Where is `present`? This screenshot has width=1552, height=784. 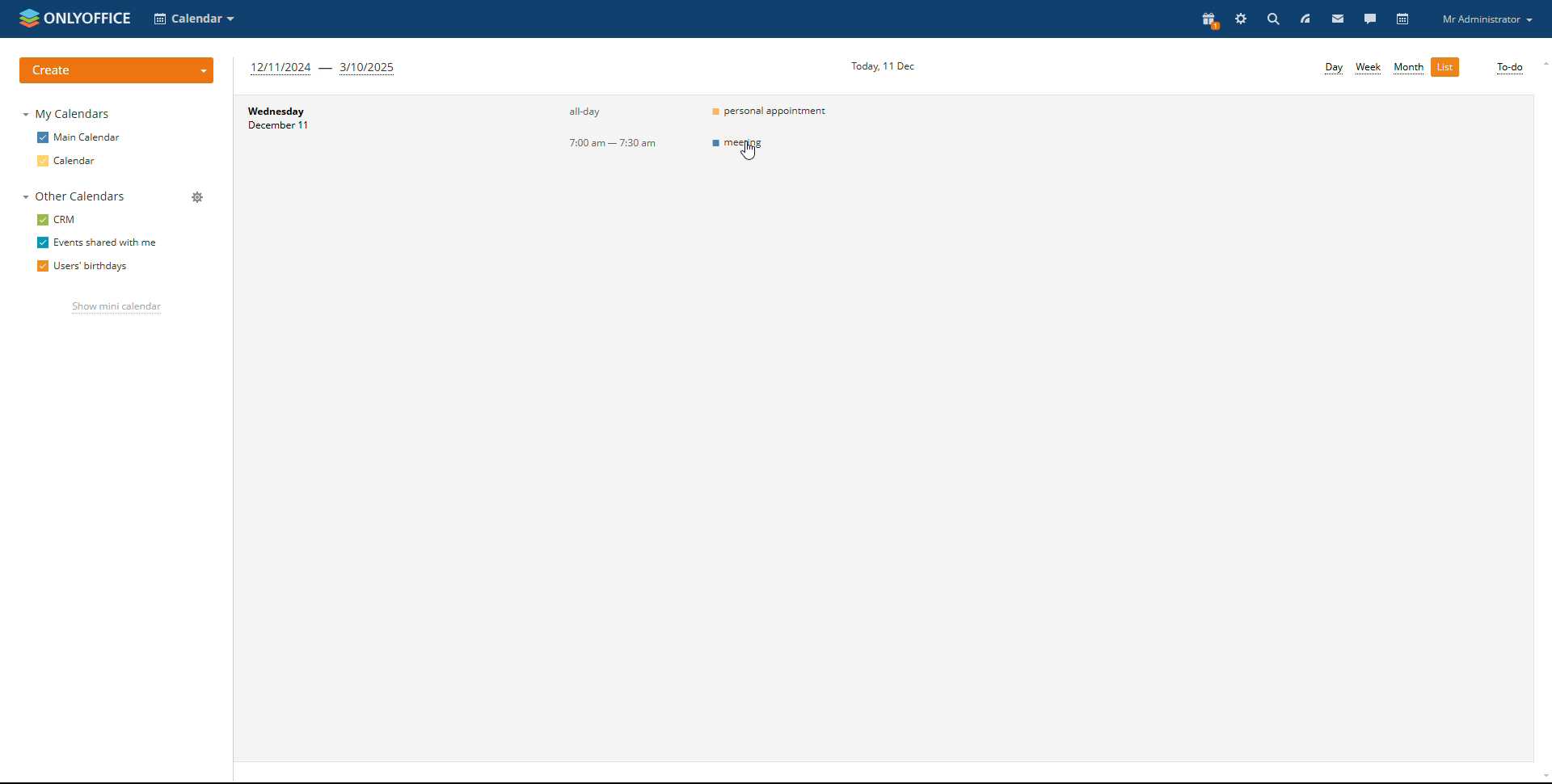 present is located at coordinates (1209, 19).